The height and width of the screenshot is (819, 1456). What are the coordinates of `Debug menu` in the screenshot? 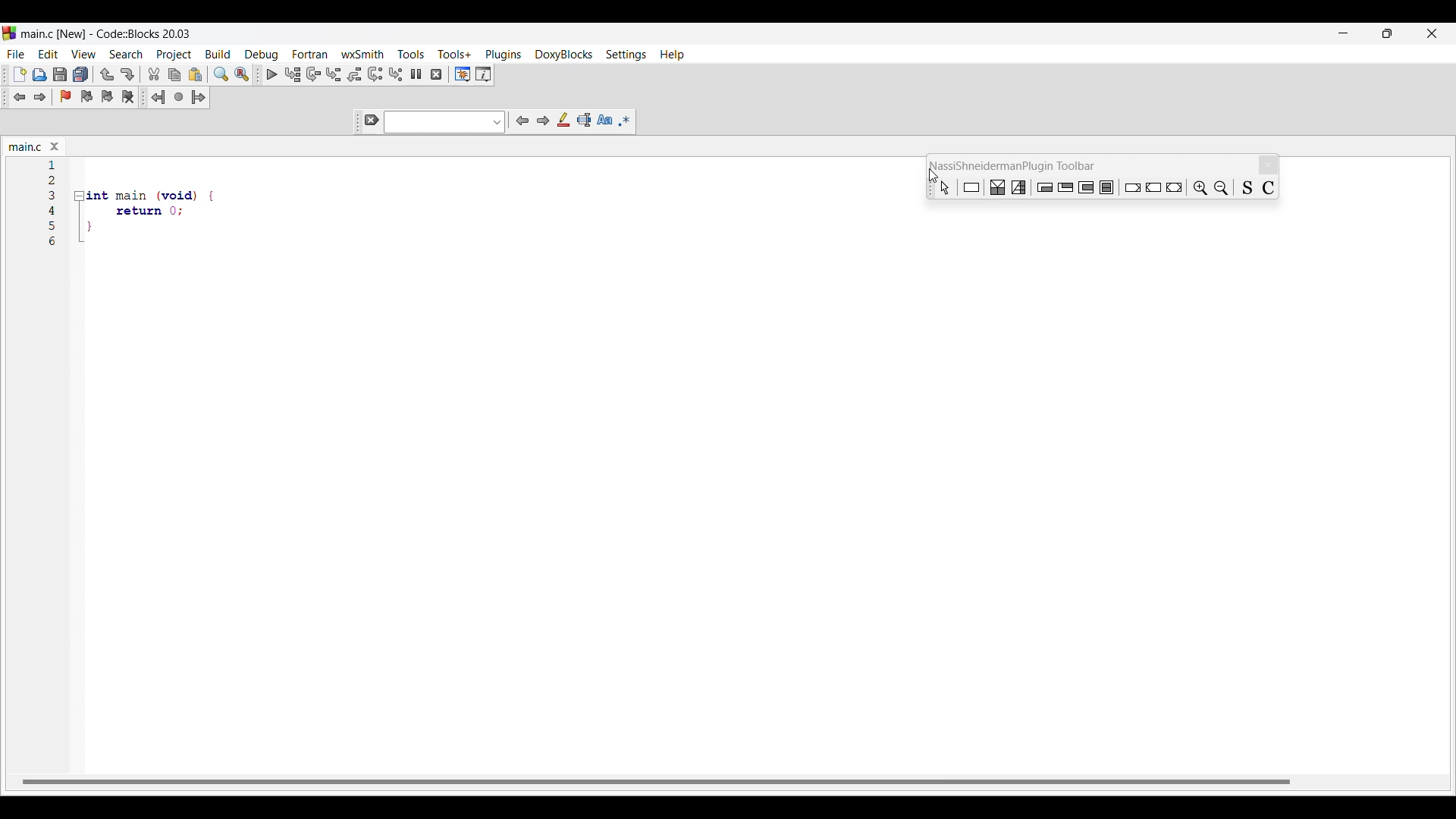 It's located at (262, 55).